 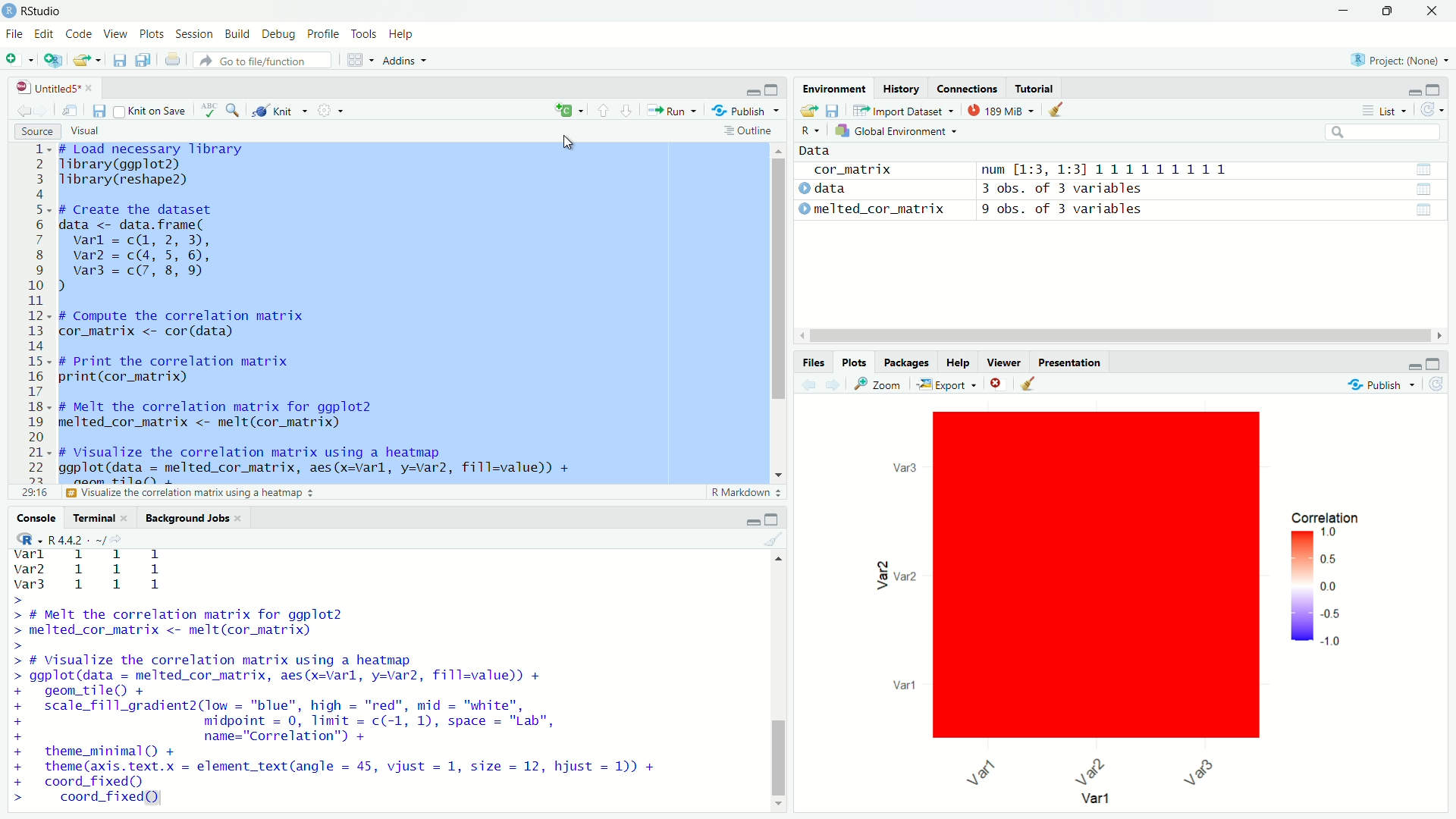 What do you see at coordinates (1112, 607) in the screenshot?
I see `plot` at bounding box center [1112, 607].